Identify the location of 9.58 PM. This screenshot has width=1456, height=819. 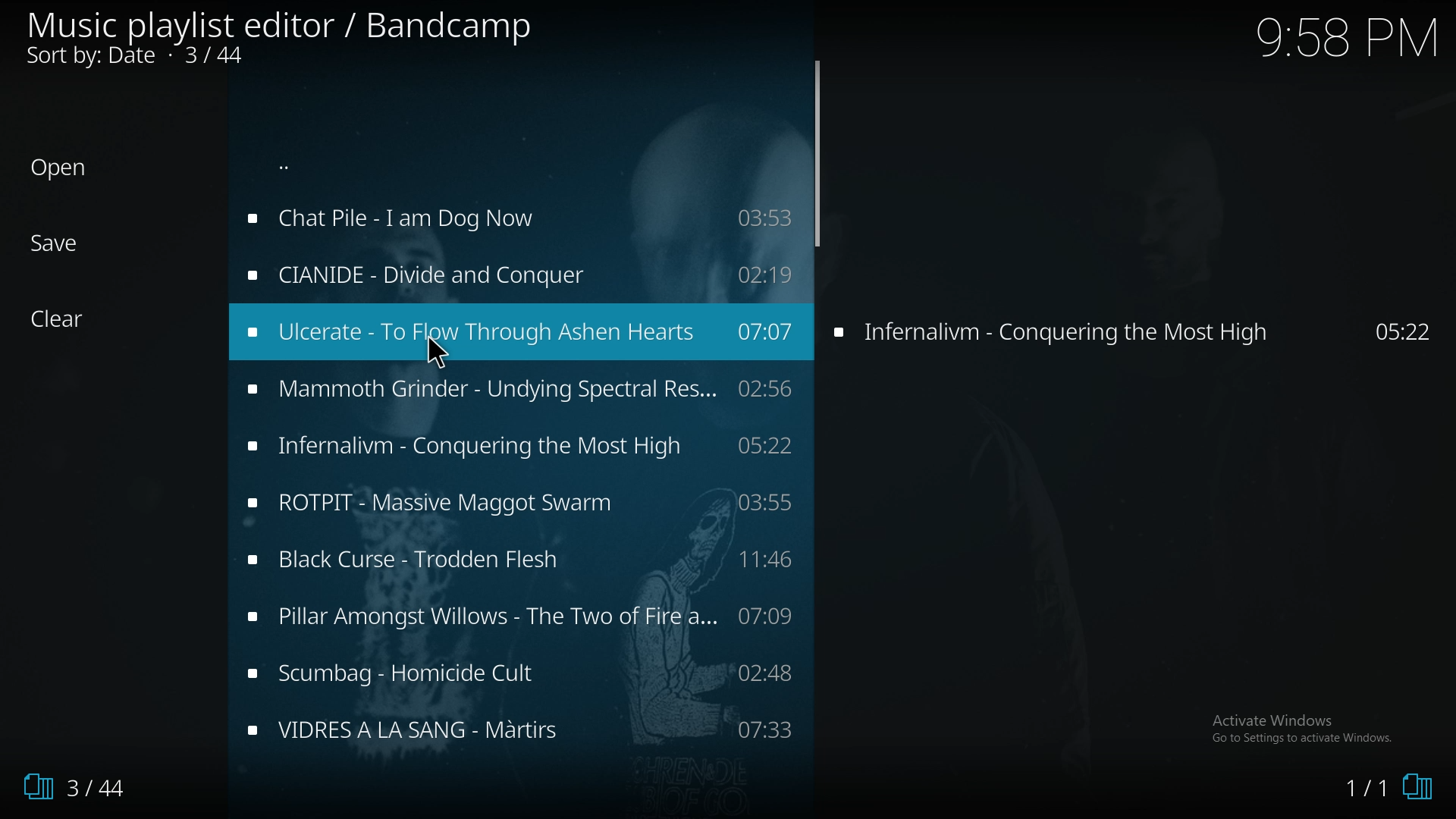
(1346, 37).